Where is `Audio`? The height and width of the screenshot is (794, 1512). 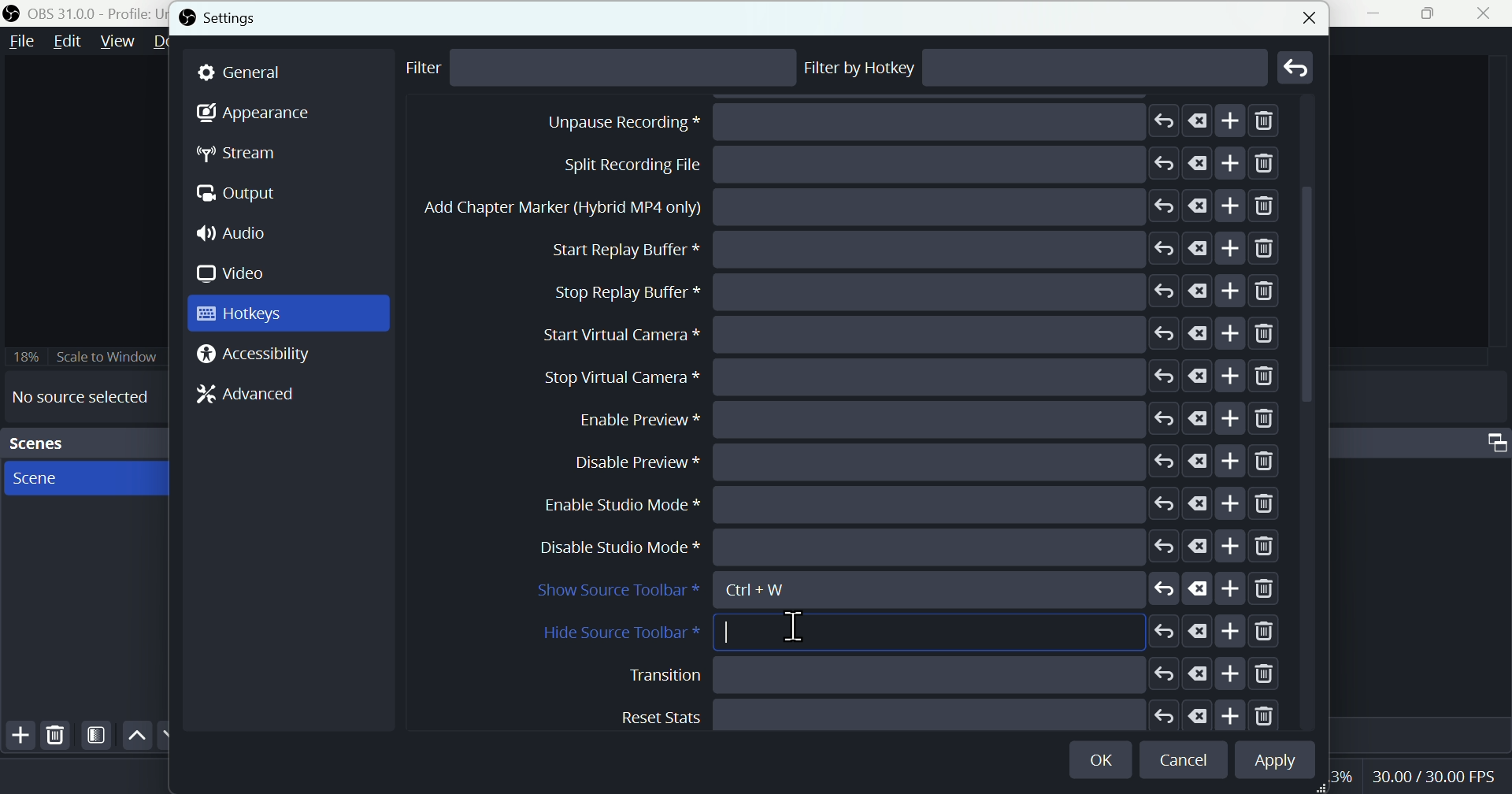 Audio is located at coordinates (239, 235).